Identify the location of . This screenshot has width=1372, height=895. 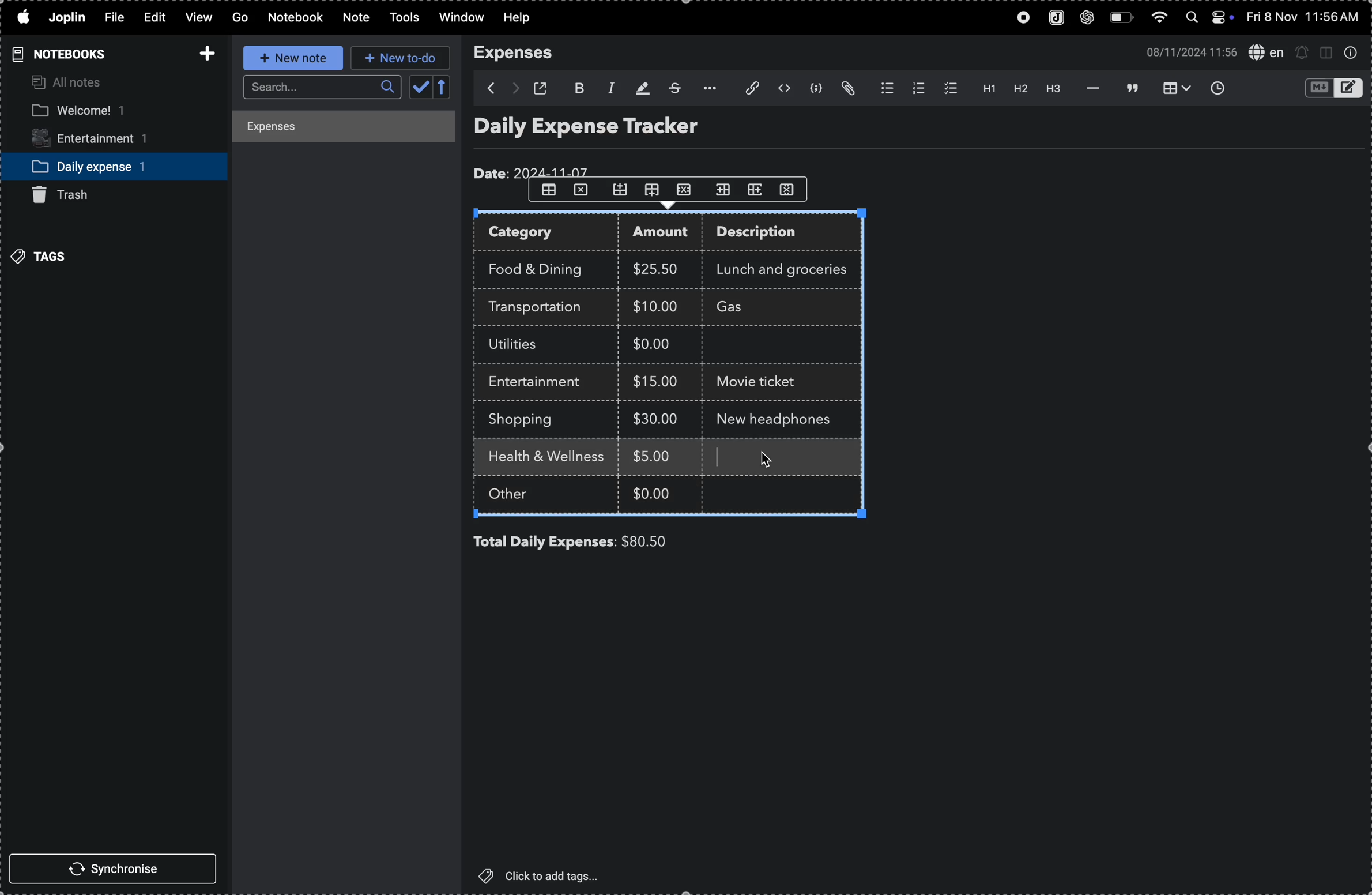
(621, 189).